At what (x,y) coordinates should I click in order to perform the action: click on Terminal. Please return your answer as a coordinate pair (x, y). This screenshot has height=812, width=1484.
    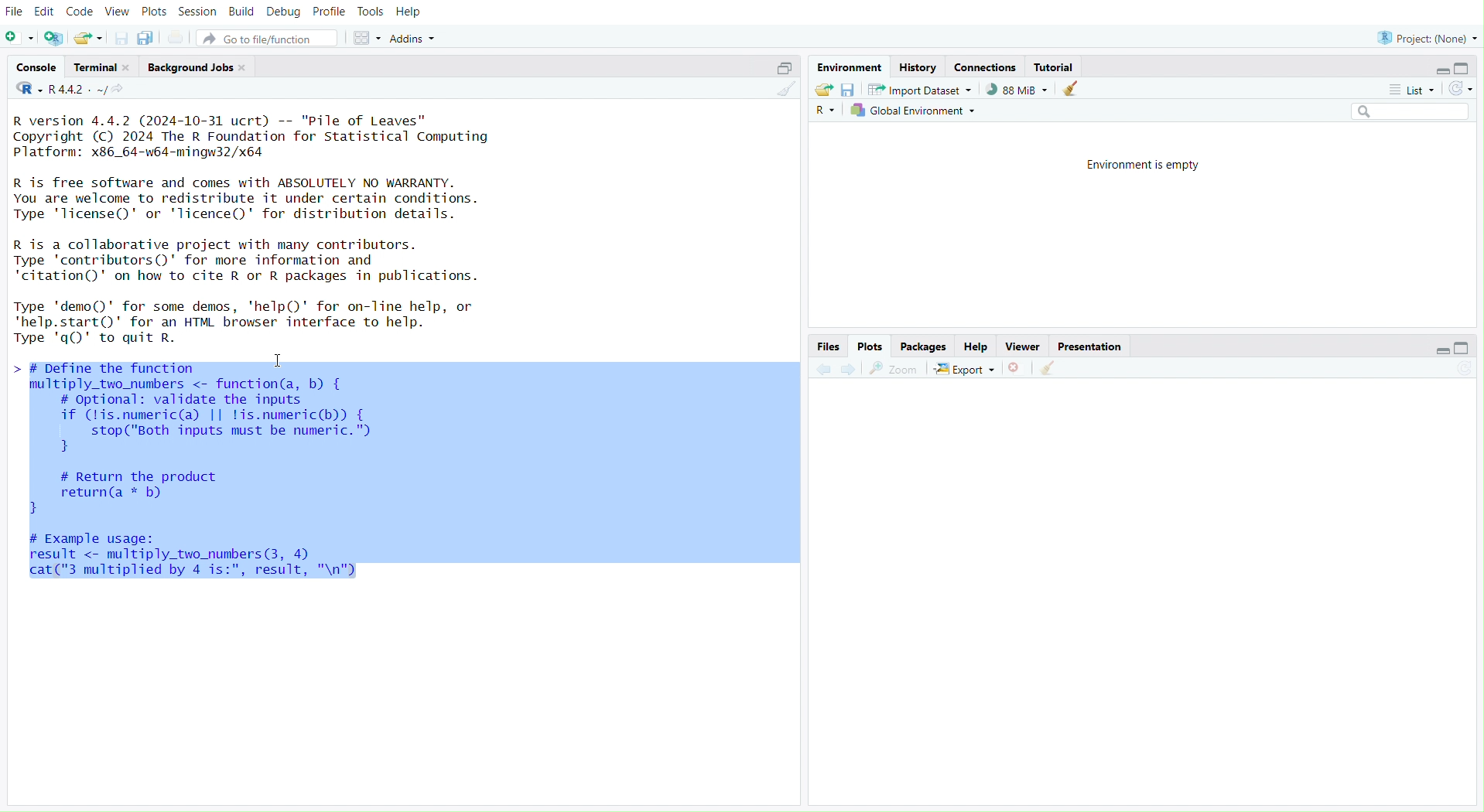
    Looking at the image, I should click on (102, 67).